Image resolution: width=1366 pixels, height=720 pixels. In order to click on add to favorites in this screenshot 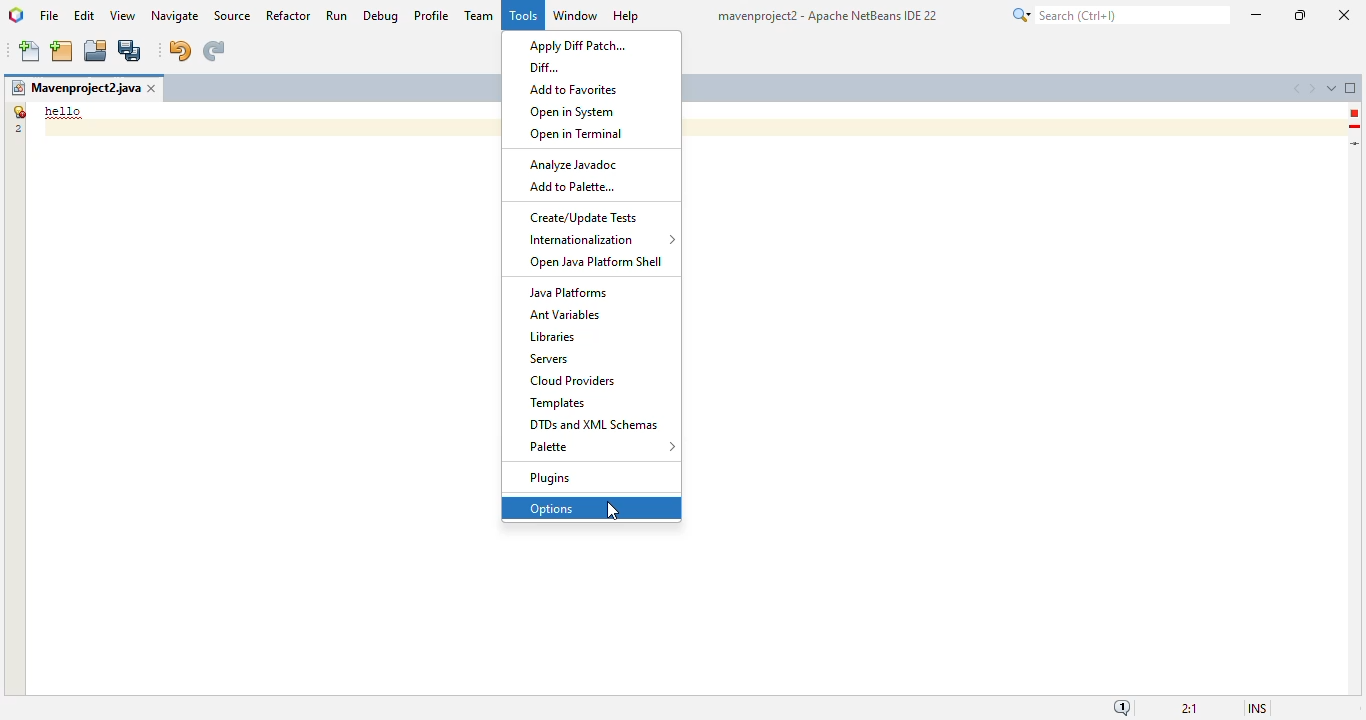, I will do `click(574, 89)`.